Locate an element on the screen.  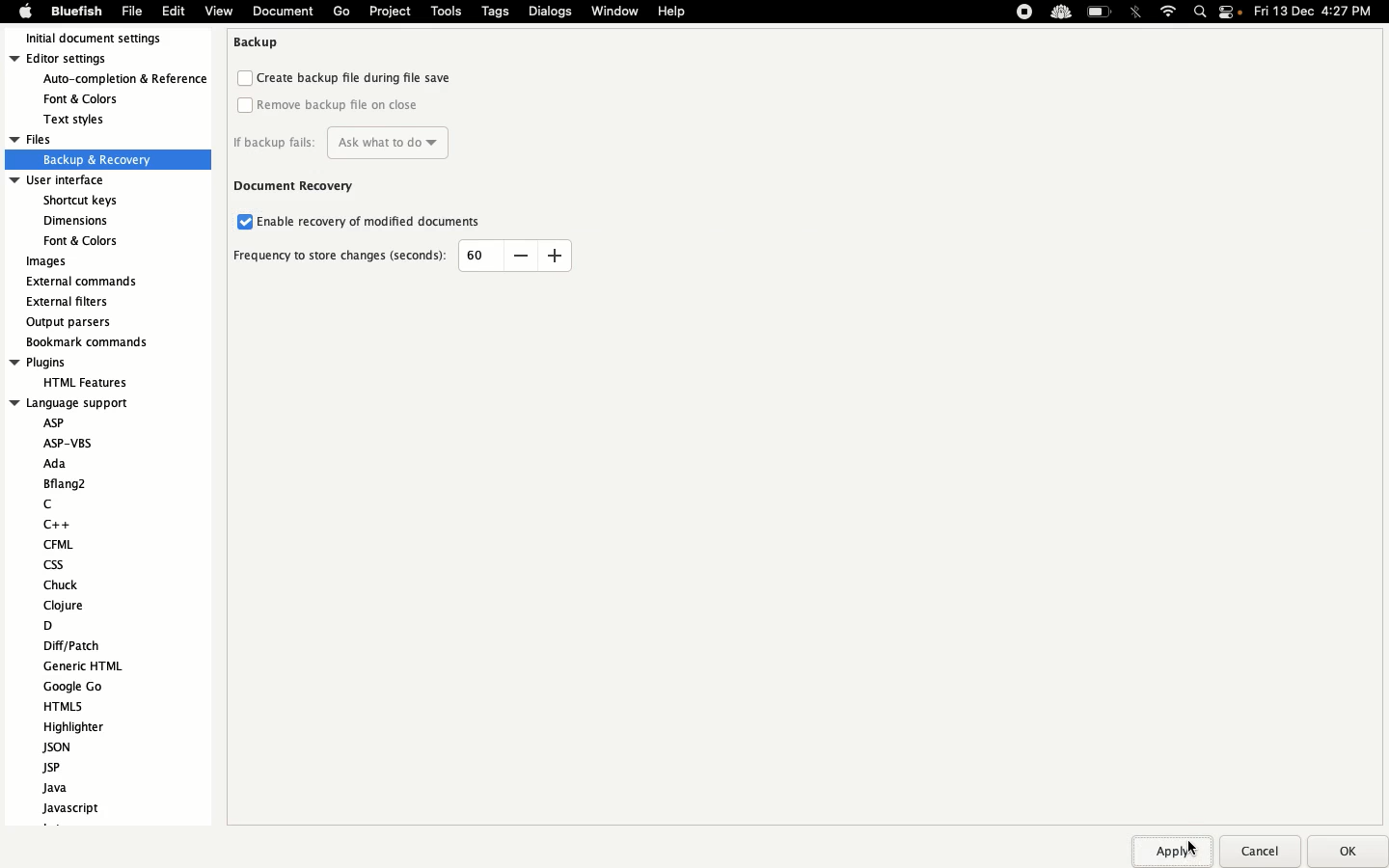
Apply is located at coordinates (1181, 849).